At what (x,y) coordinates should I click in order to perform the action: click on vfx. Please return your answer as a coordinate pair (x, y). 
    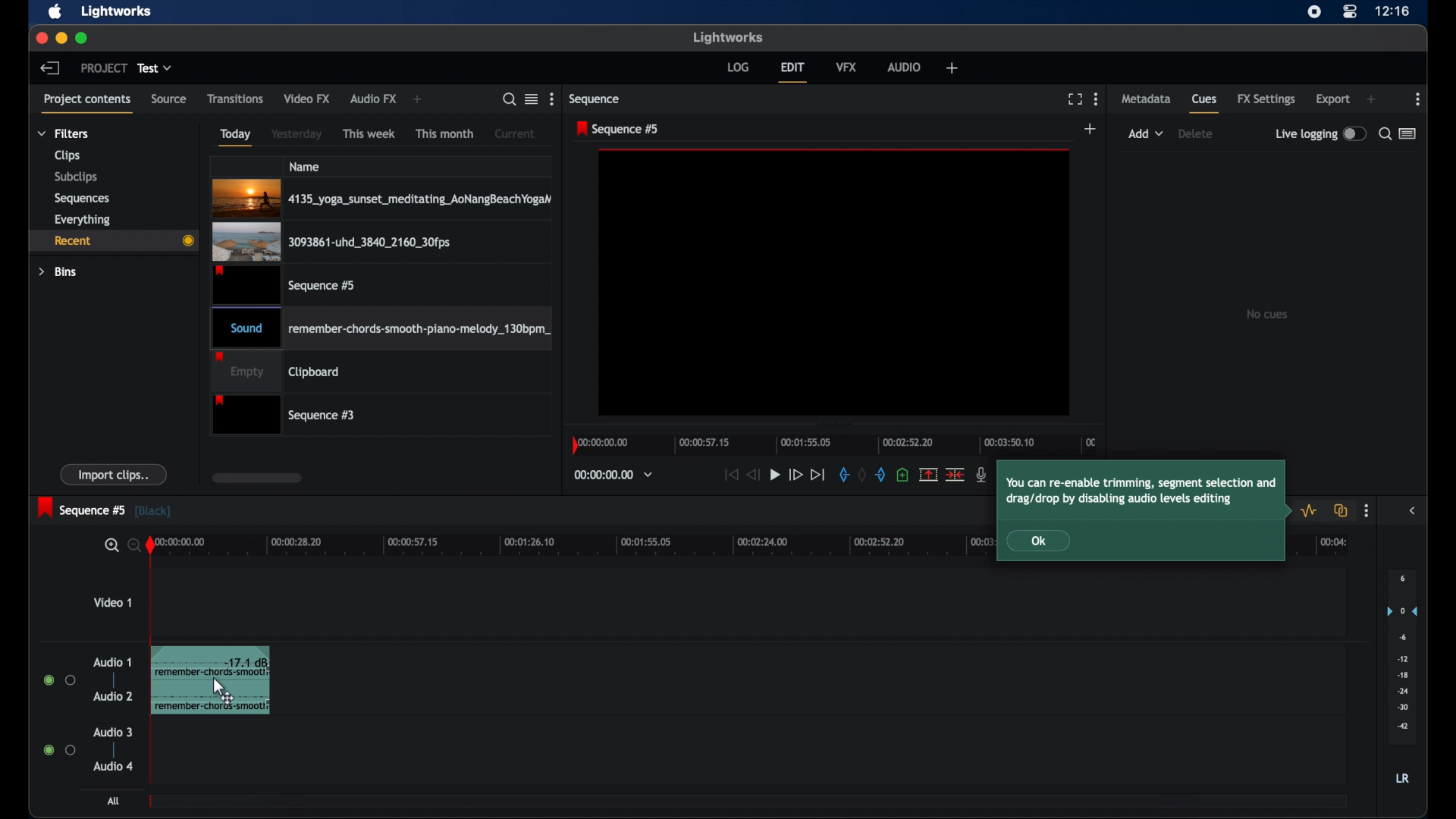
    Looking at the image, I should click on (846, 66).